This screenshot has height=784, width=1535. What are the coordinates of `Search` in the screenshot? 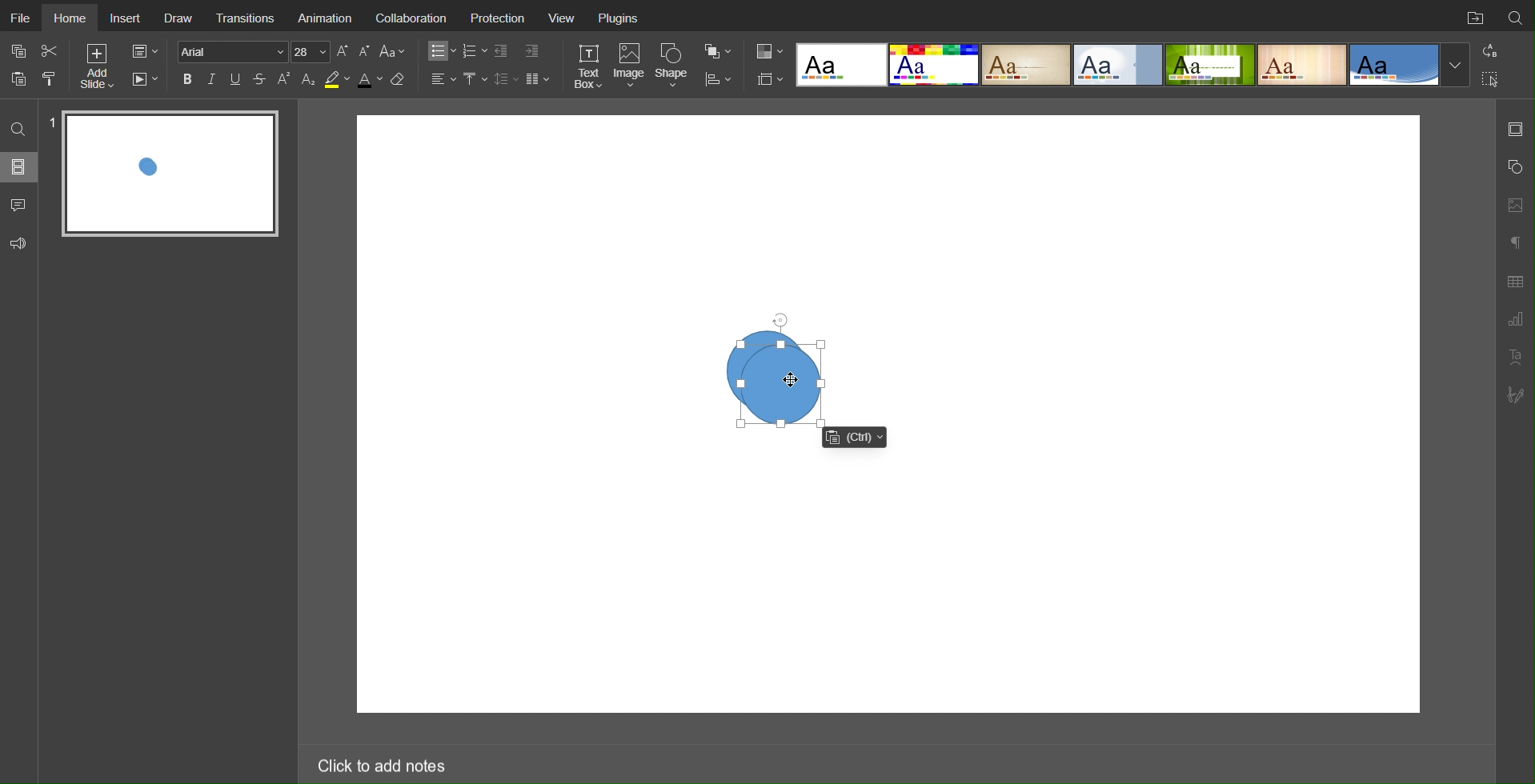 It's located at (1516, 15).